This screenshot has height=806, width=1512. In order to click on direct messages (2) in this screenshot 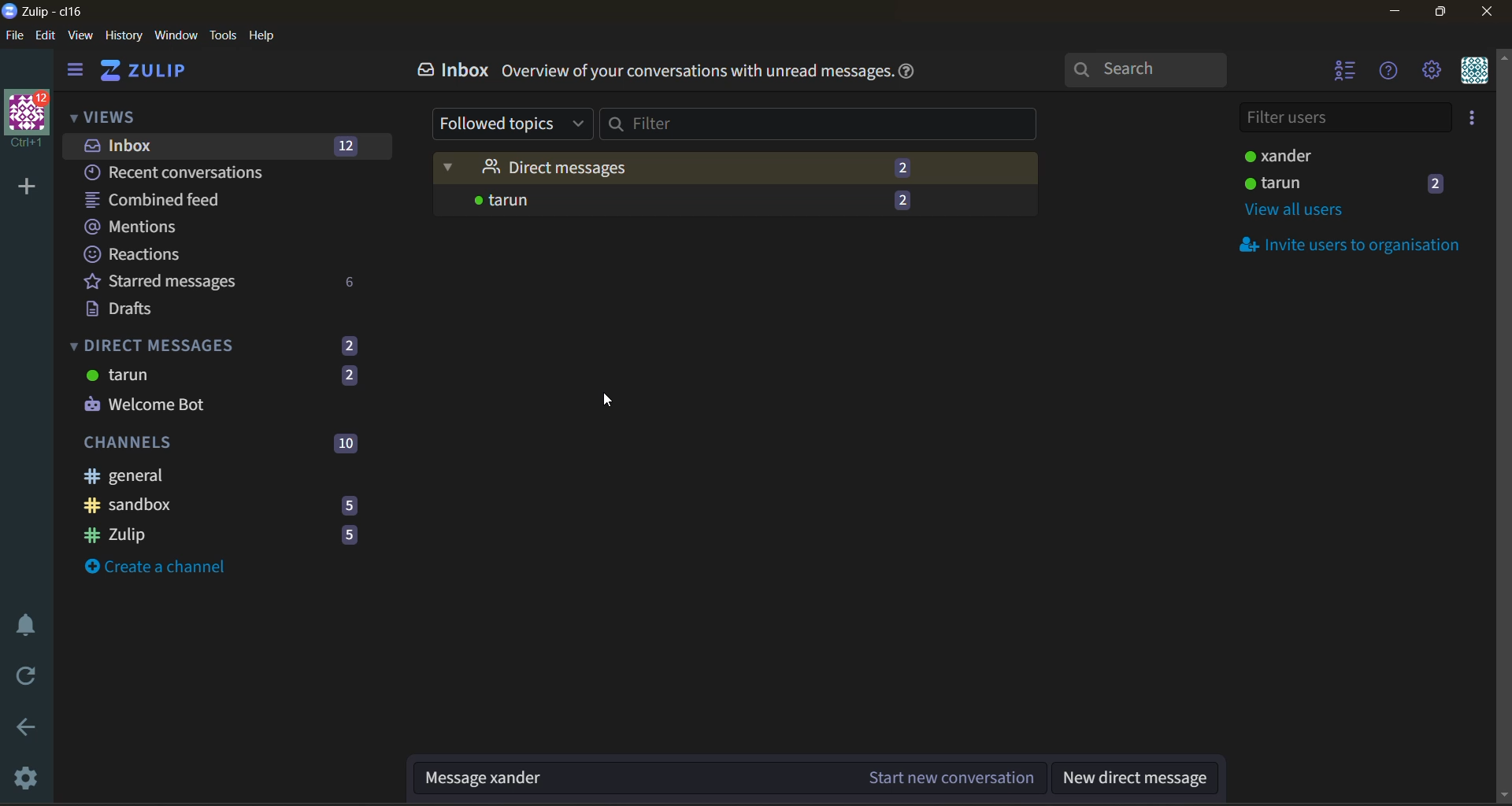, I will do `click(736, 168)`.